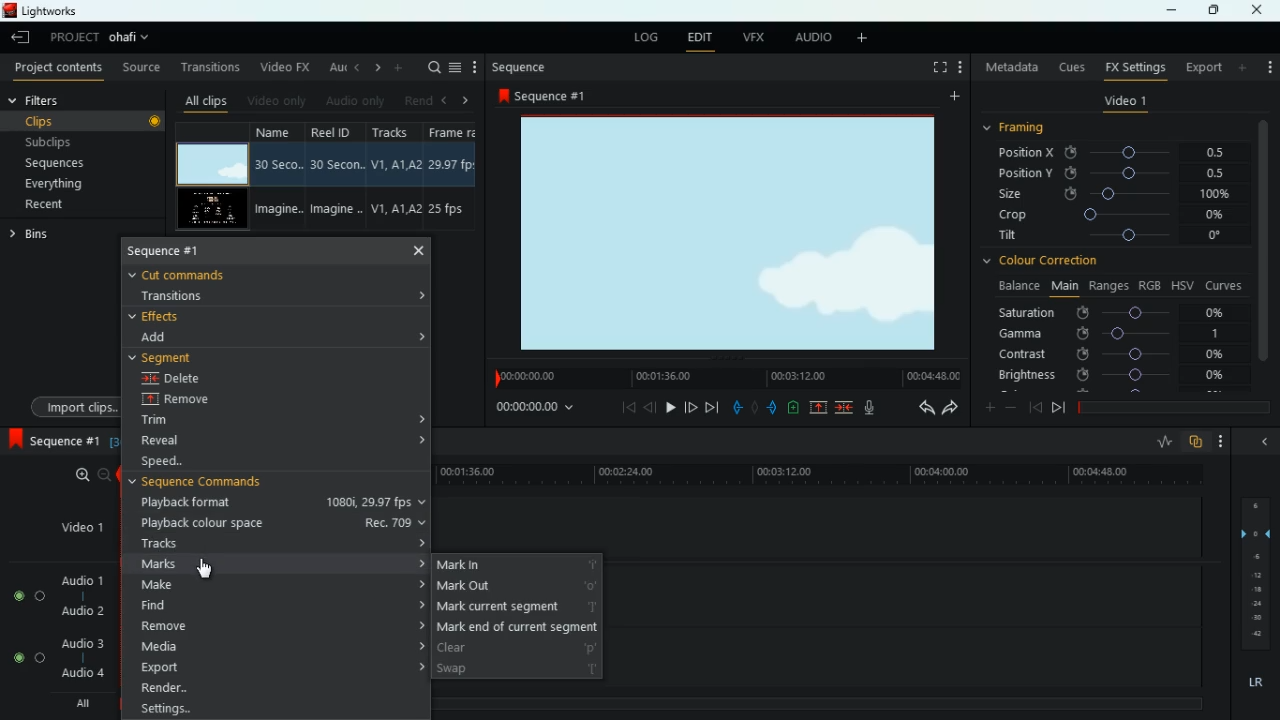  What do you see at coordinates (186, 462) in the screenshot?
I see `speed` at bounding box center [186, 462].